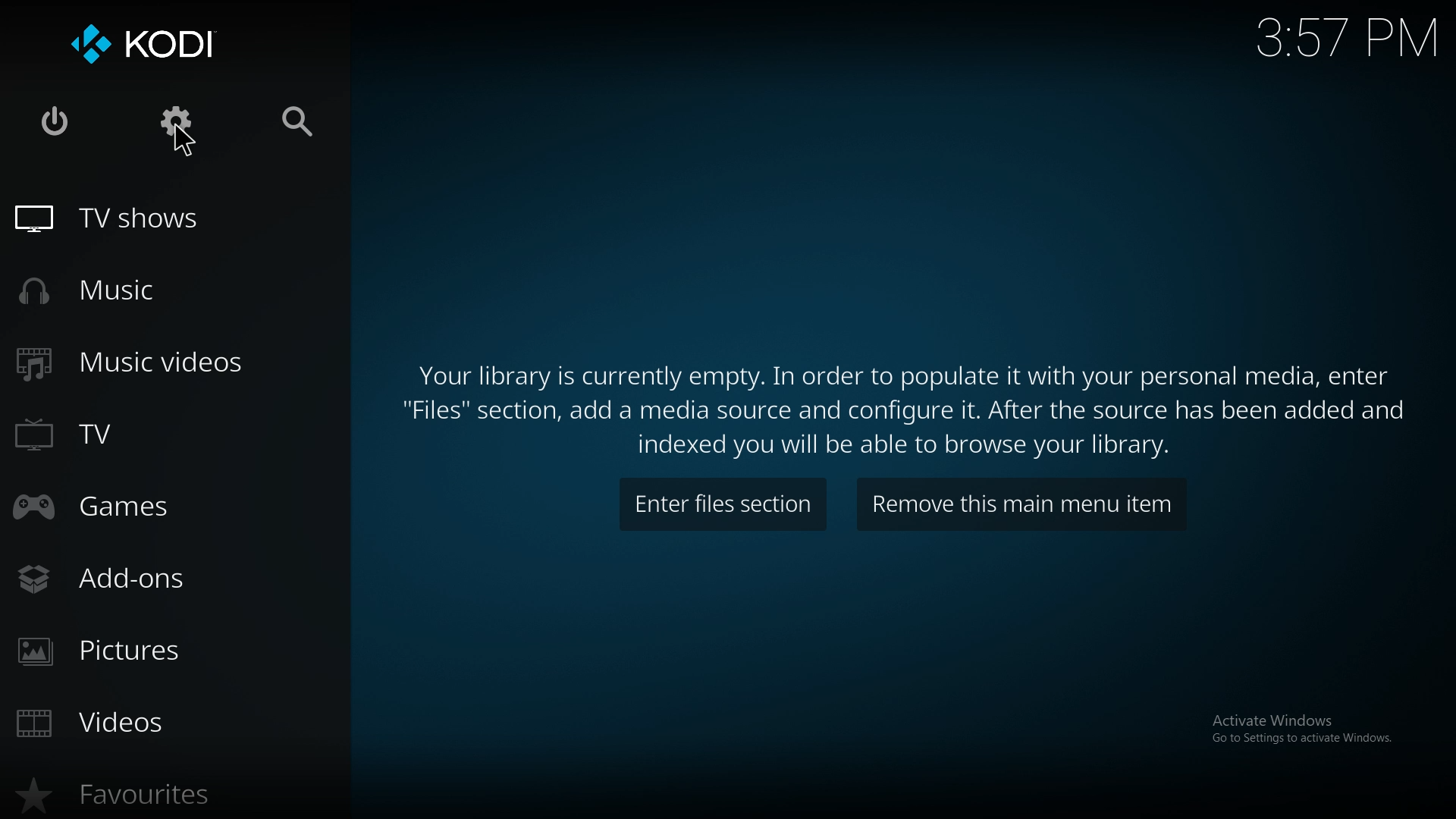 This screenshot has width=1456, height=819. Describe the element at coordinates (722, 504) in the screenshot. I see `enter files section` at that location.